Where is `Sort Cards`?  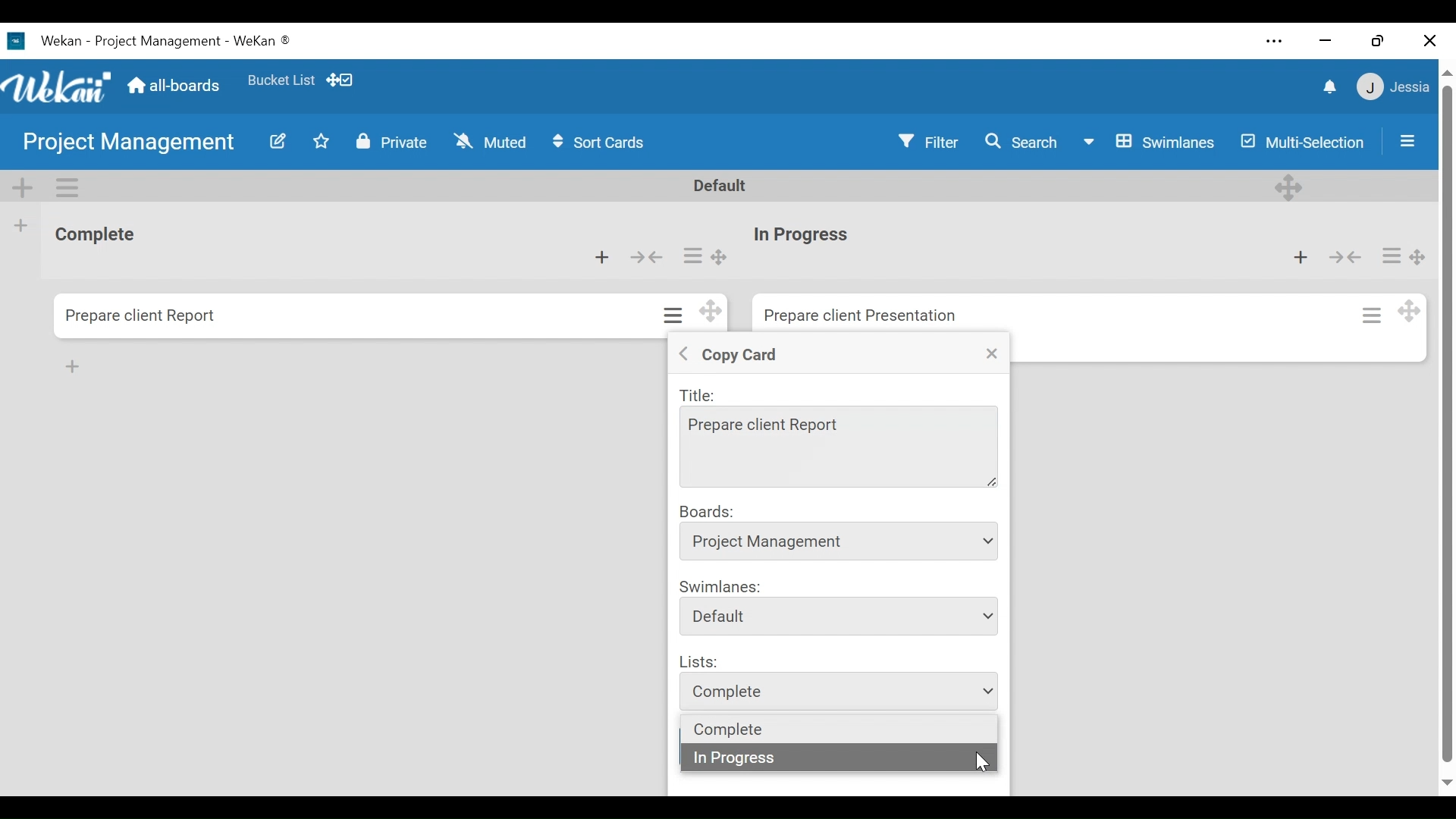
Sort Cards is located at coordinates (598, 142).